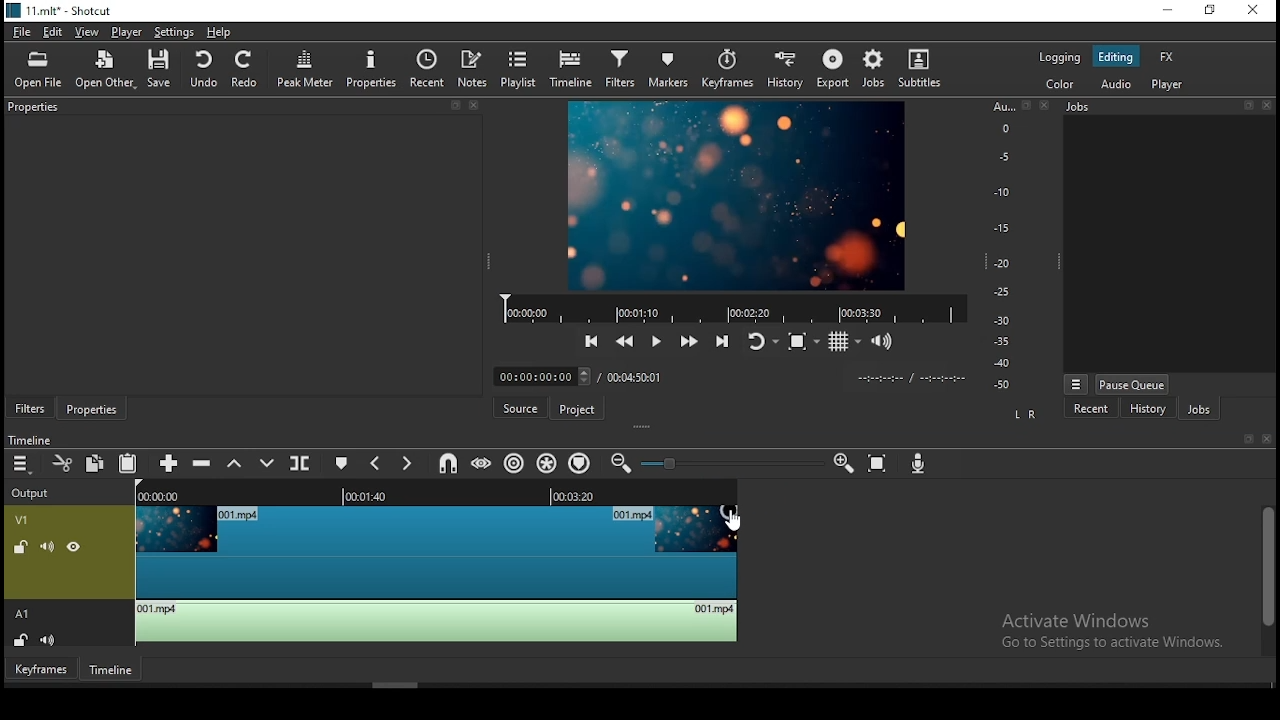 The height and width of the screenshot is (720, 1280). I want to click on save, so click(159, 66).